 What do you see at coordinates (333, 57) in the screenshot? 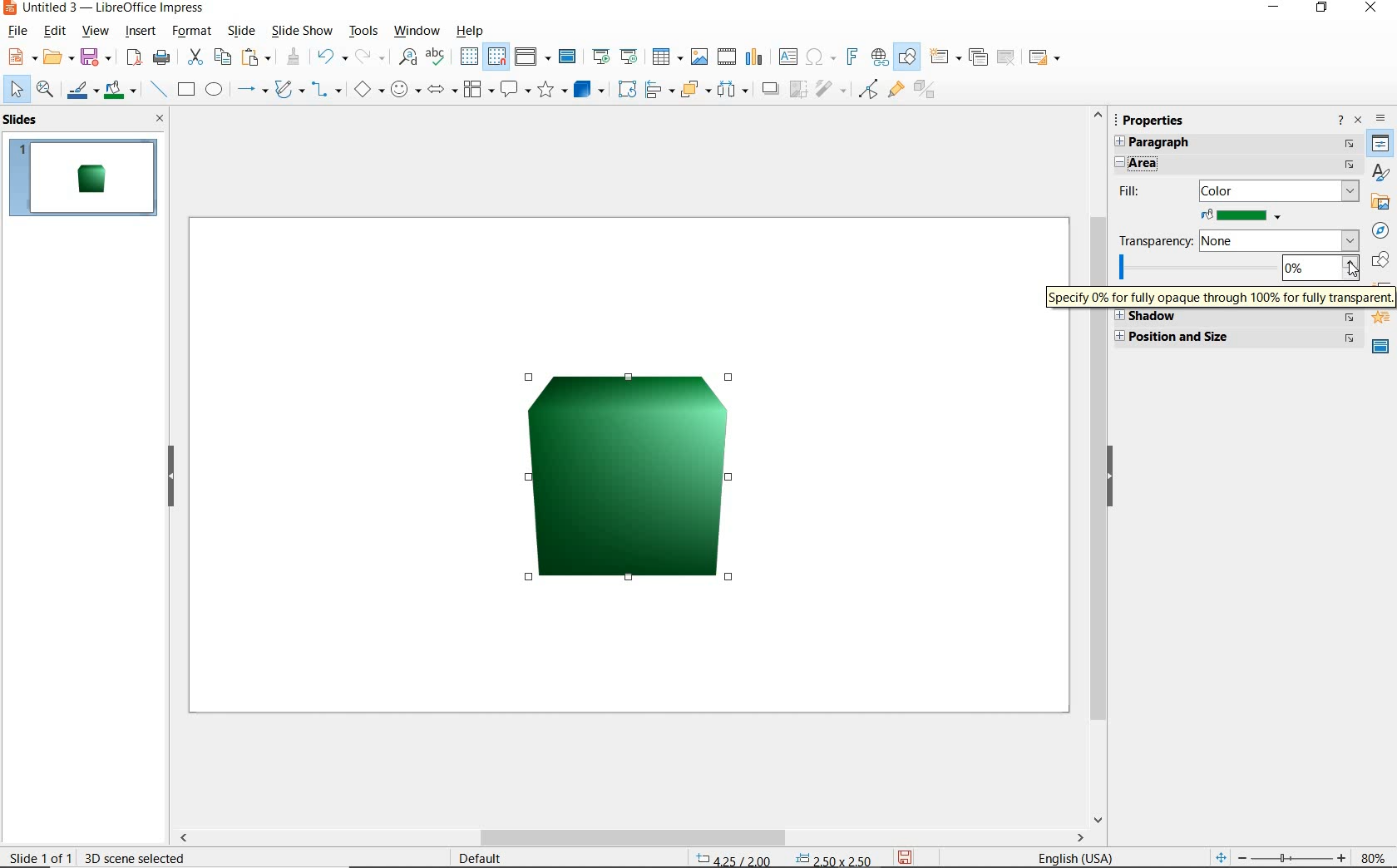
I see `undo` at bounding box center [333, 57].